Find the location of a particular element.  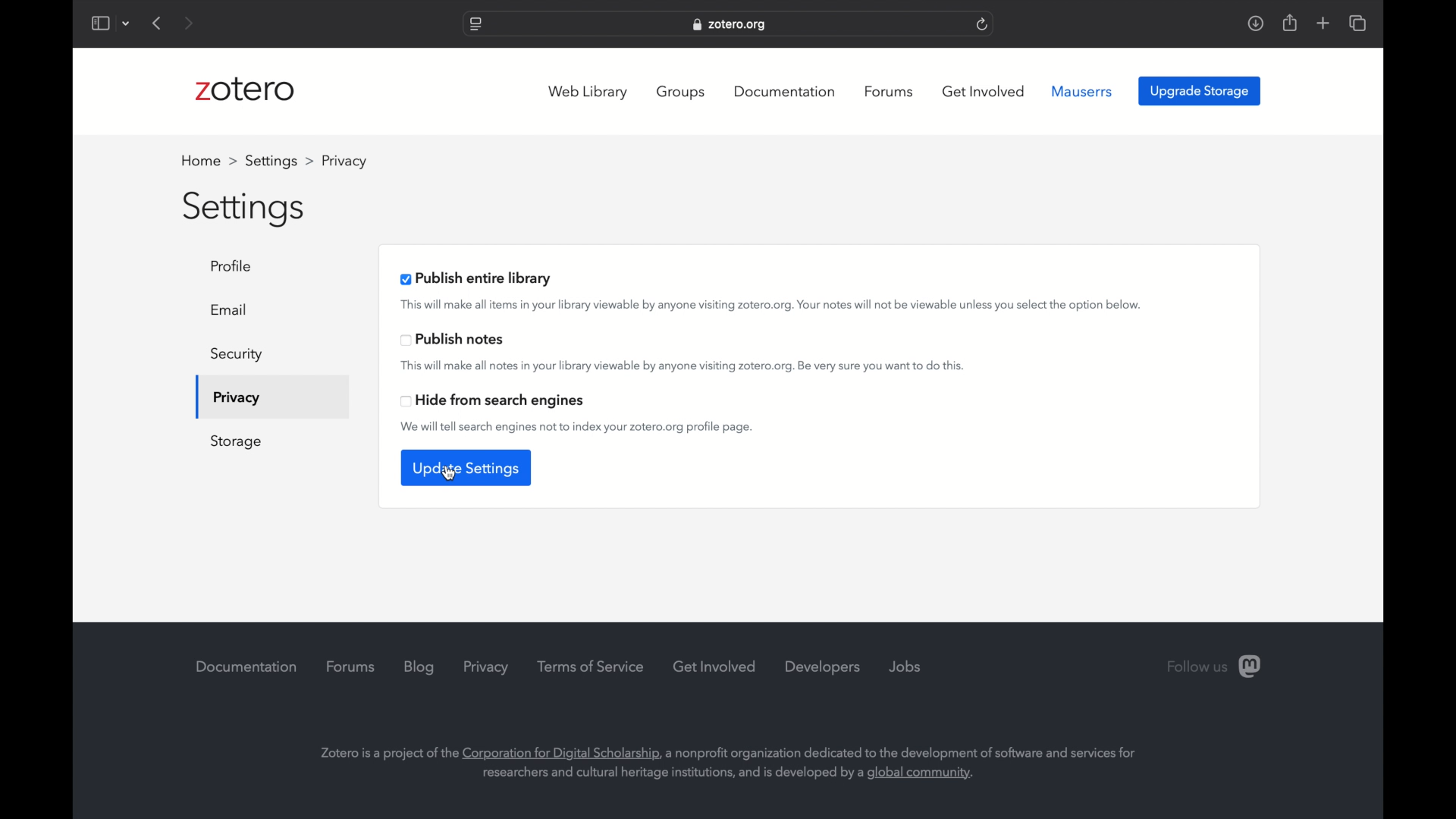

developers is located at coordinates (823, 667).